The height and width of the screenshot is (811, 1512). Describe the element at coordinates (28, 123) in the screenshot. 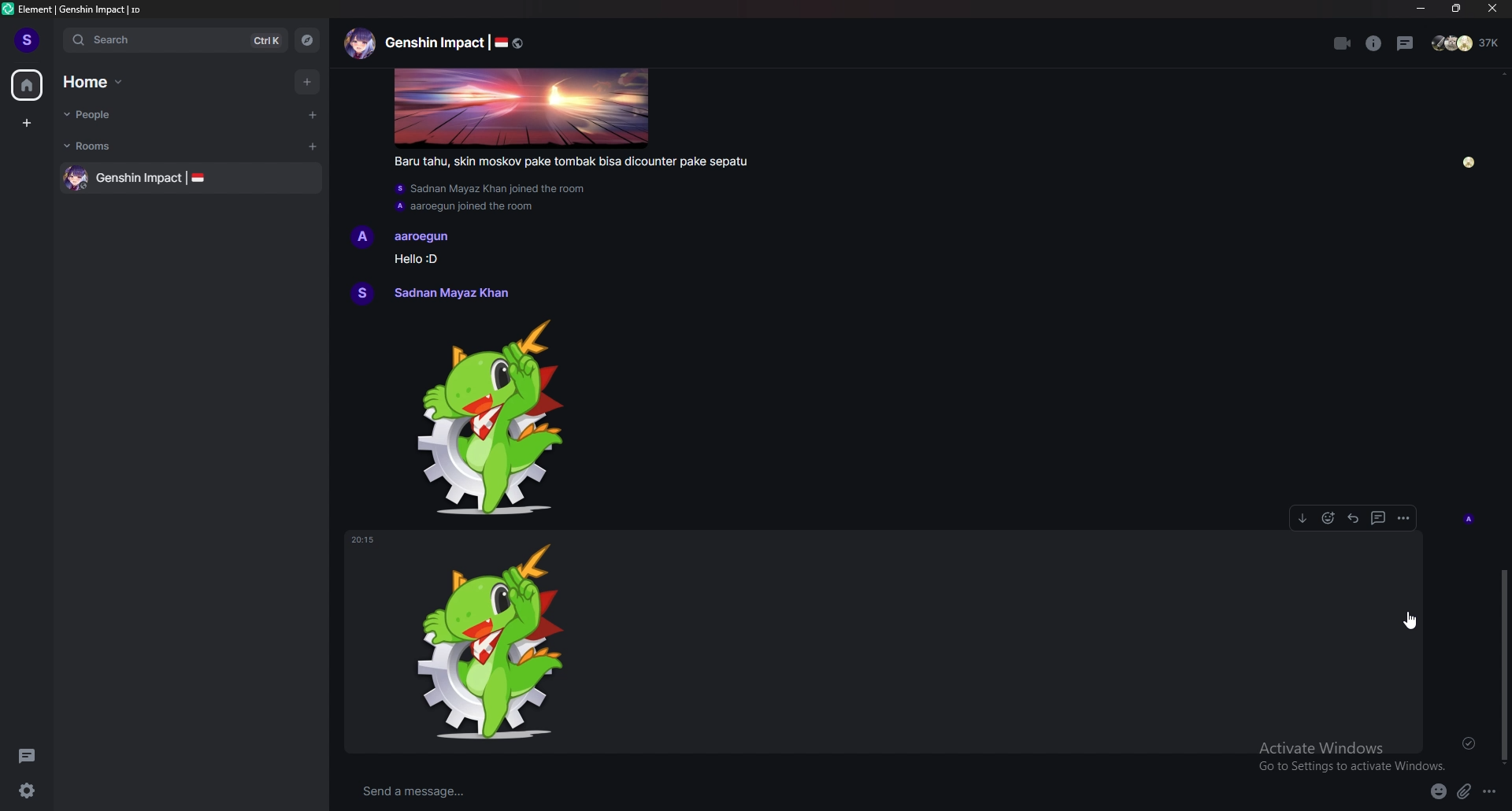

I see `create a space` at that location.